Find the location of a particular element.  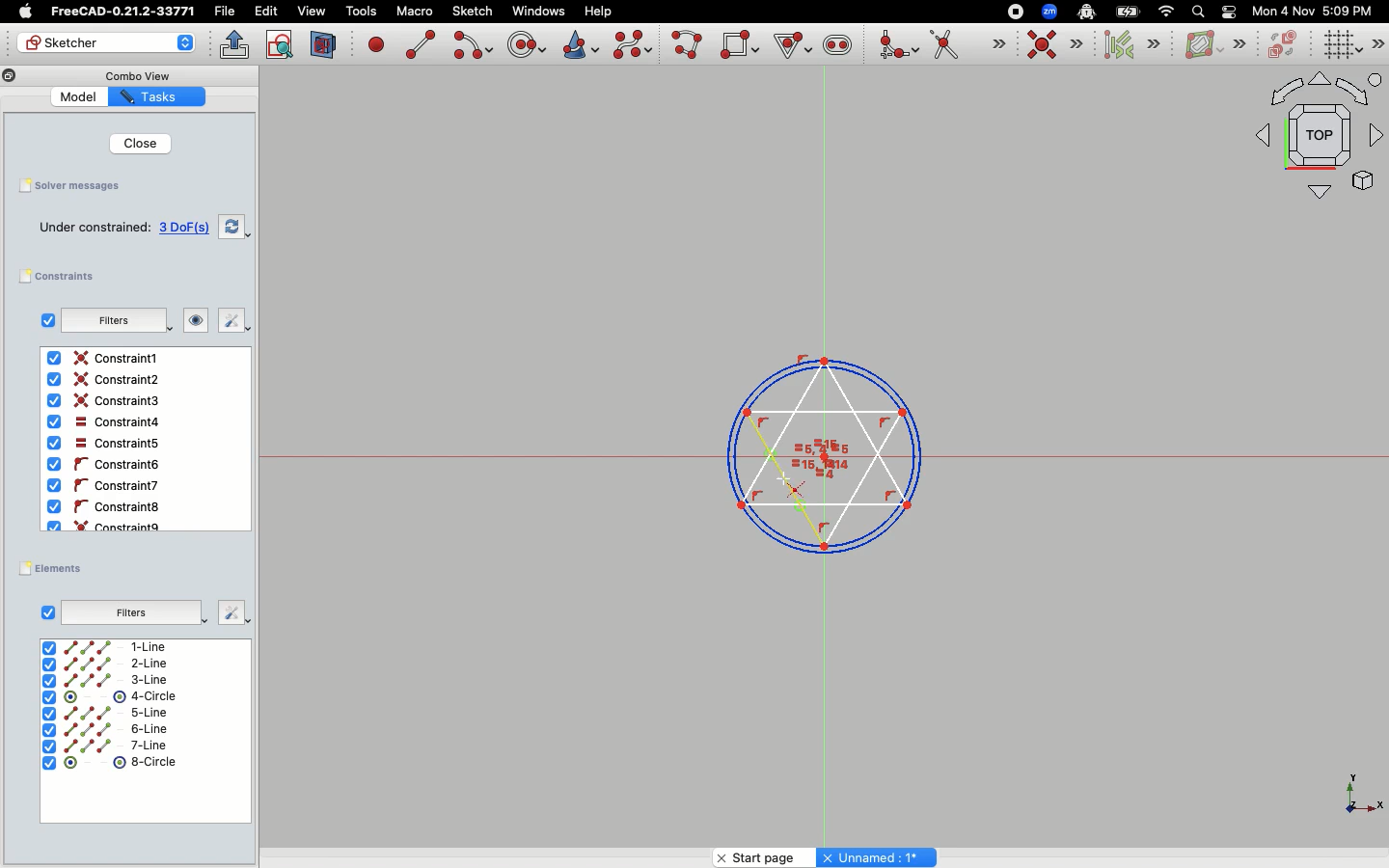

Help is located at coordinates (599, 10).